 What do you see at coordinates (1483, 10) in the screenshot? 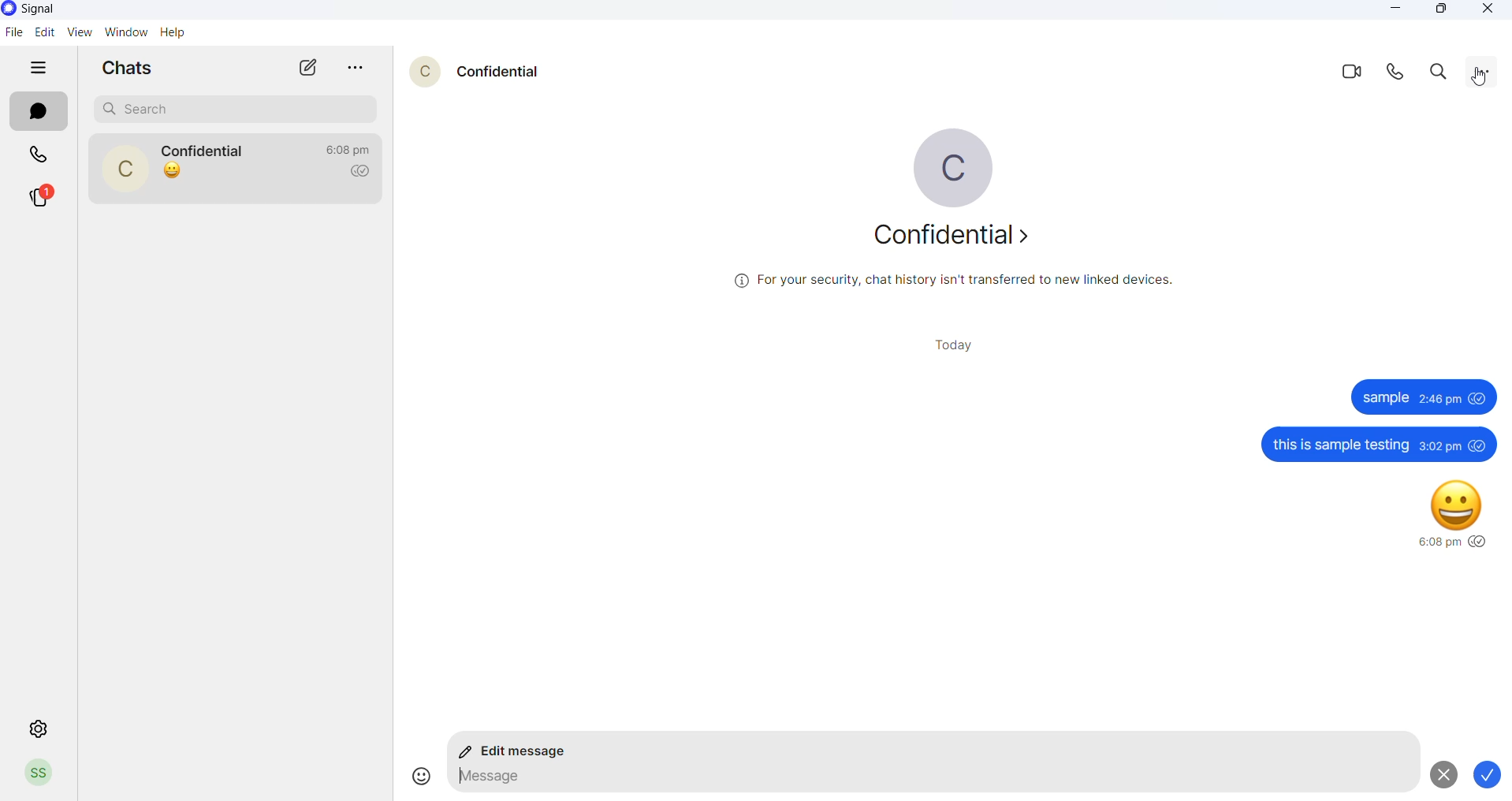
I see `close` at bounding box center [1483, 10].